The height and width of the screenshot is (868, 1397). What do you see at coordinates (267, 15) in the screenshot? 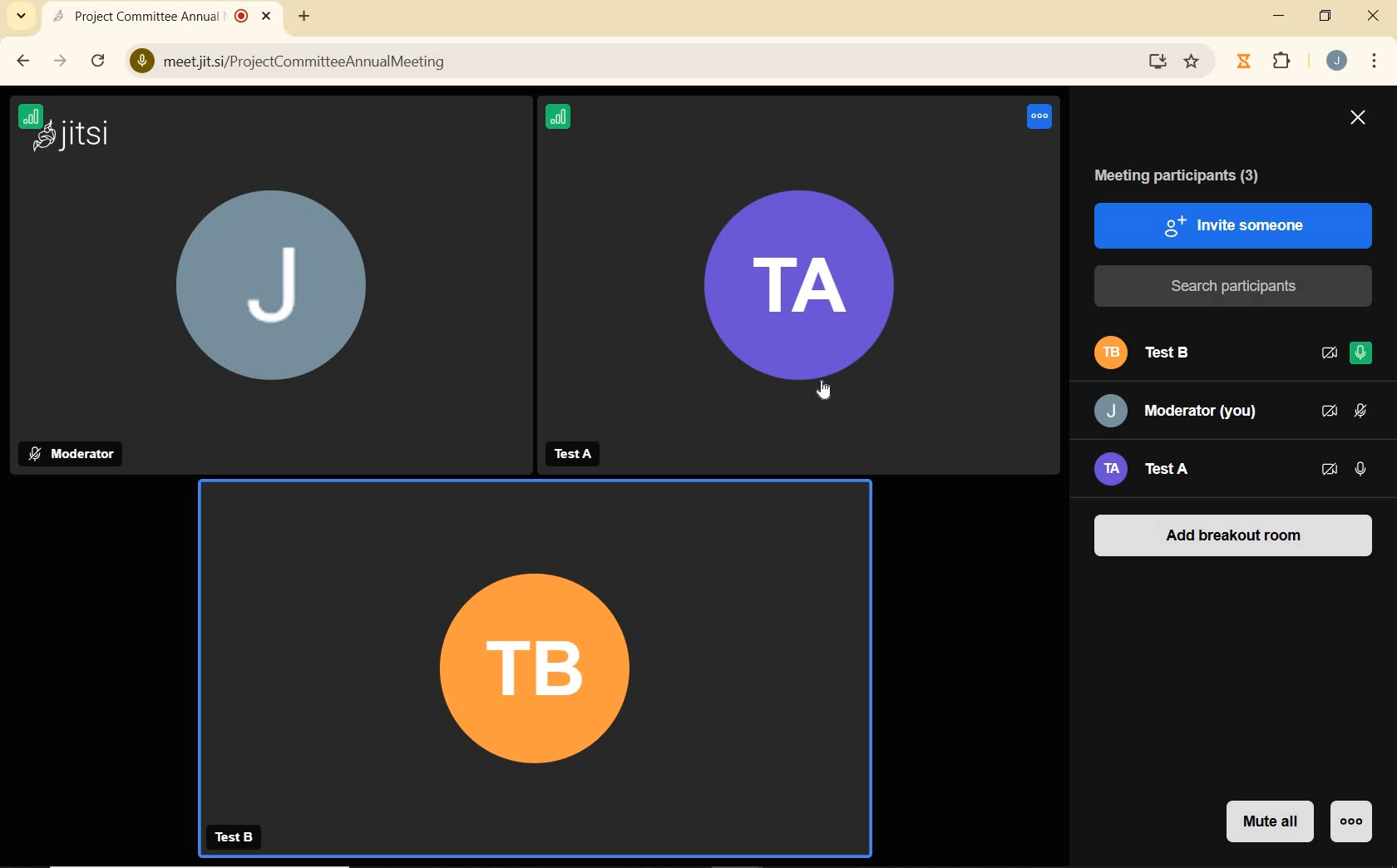
I see `close tab` at bounding box center [267, 15].